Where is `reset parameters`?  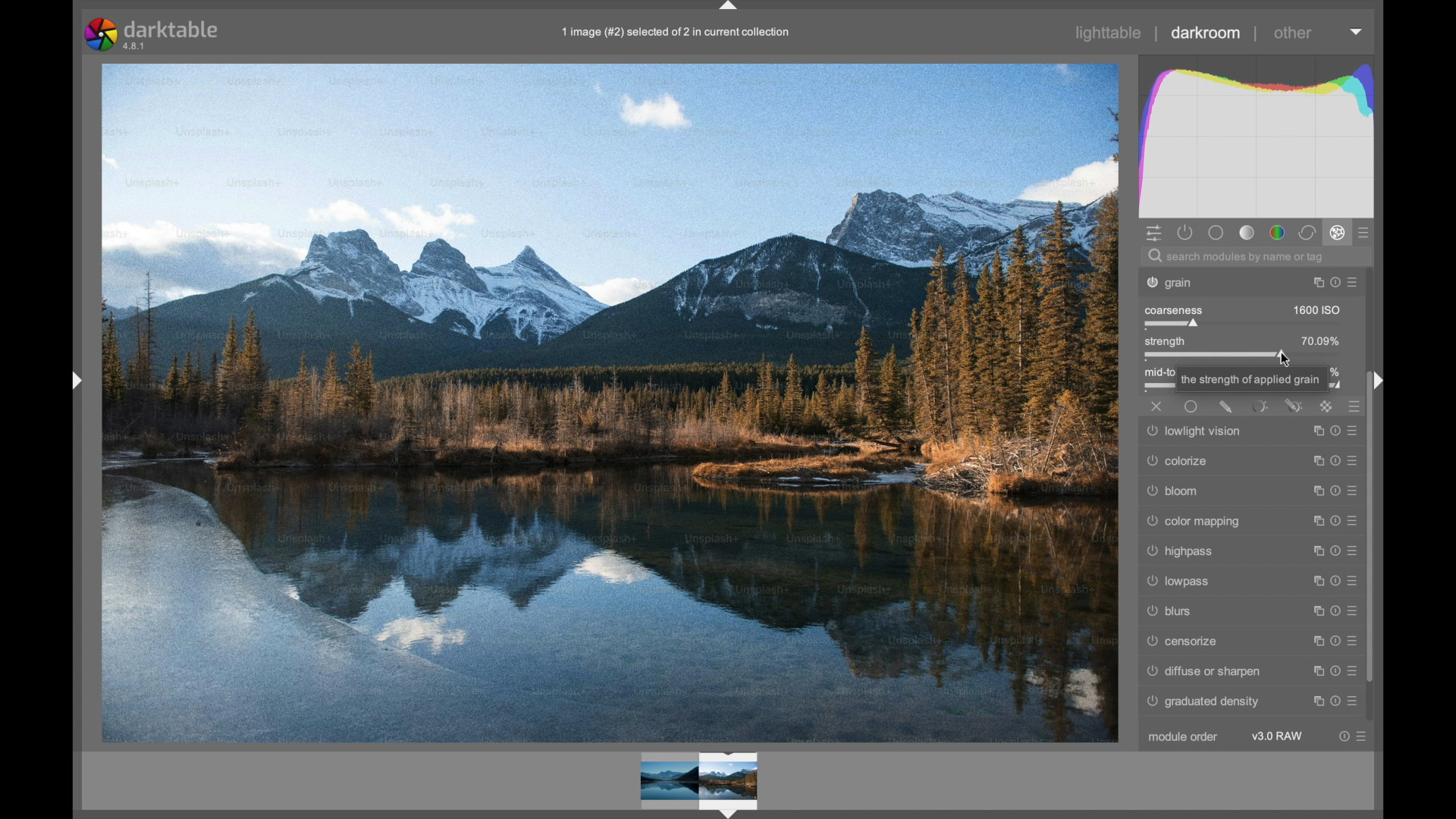 reset parameters is located at coordinates (1332, 552).